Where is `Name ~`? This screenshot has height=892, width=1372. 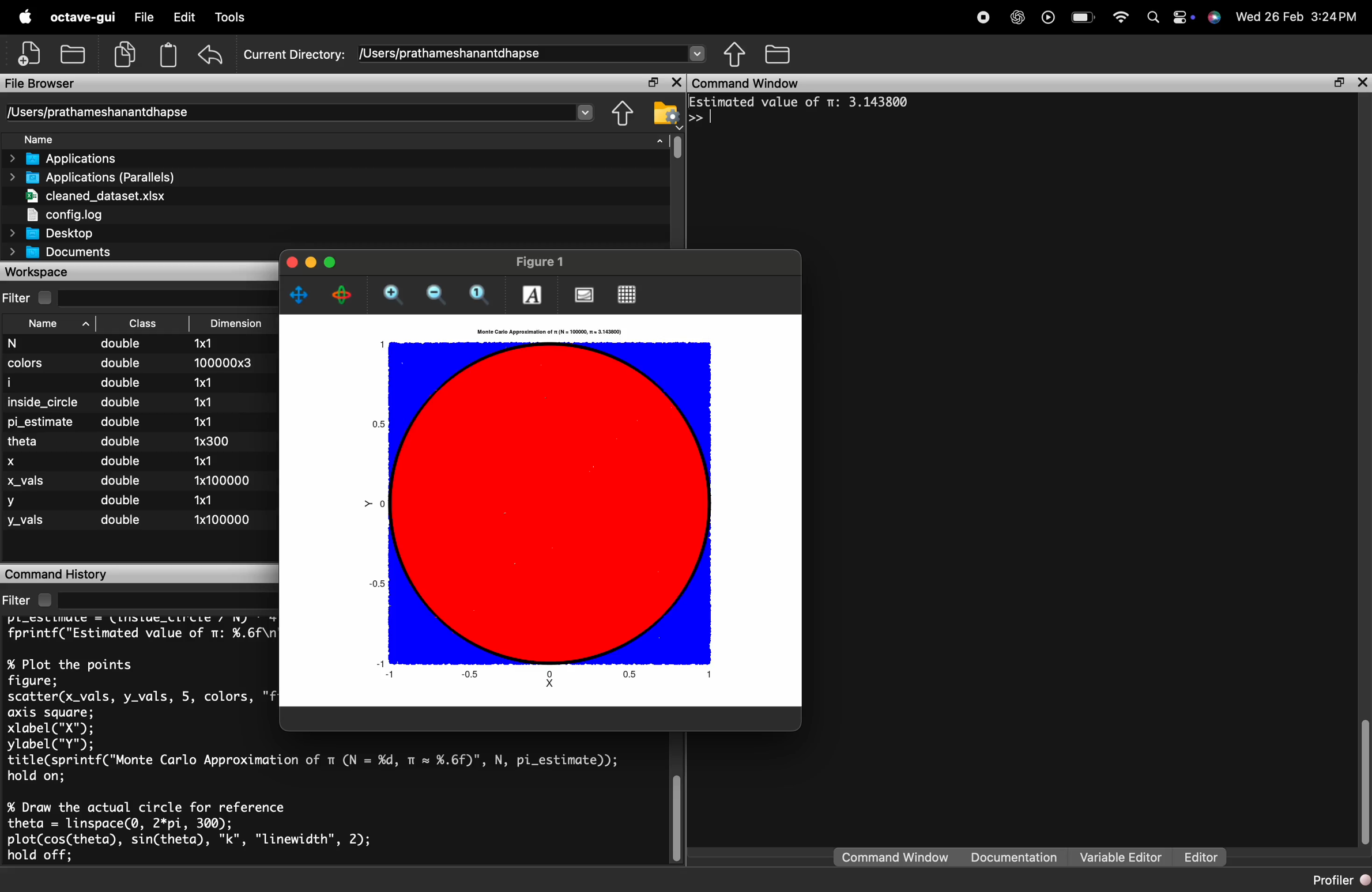 Name ~ is located at coordinates (49, 324).